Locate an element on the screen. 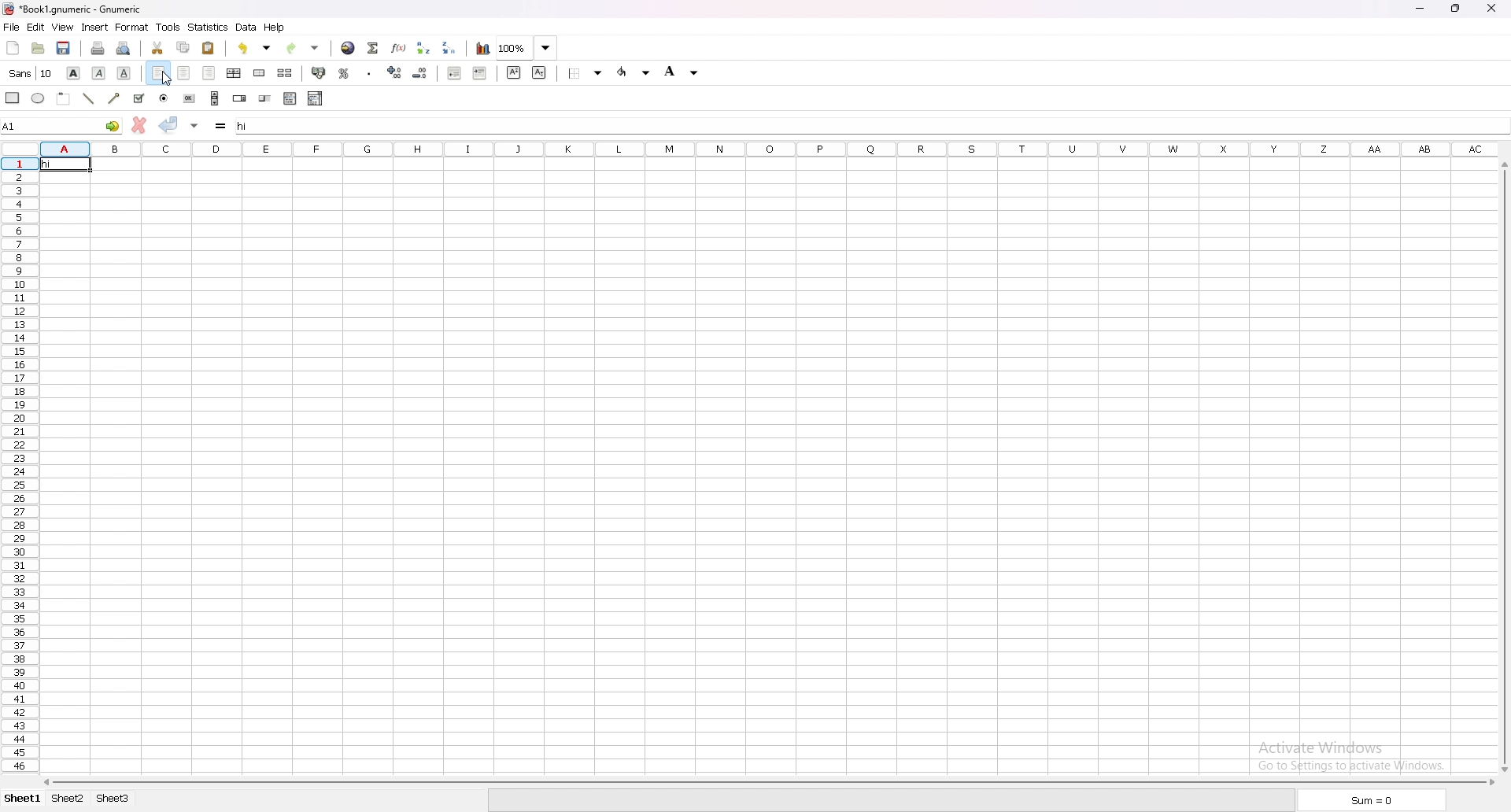 The image size is (1511, 812). accept changes is located at coordinates (169, 125).